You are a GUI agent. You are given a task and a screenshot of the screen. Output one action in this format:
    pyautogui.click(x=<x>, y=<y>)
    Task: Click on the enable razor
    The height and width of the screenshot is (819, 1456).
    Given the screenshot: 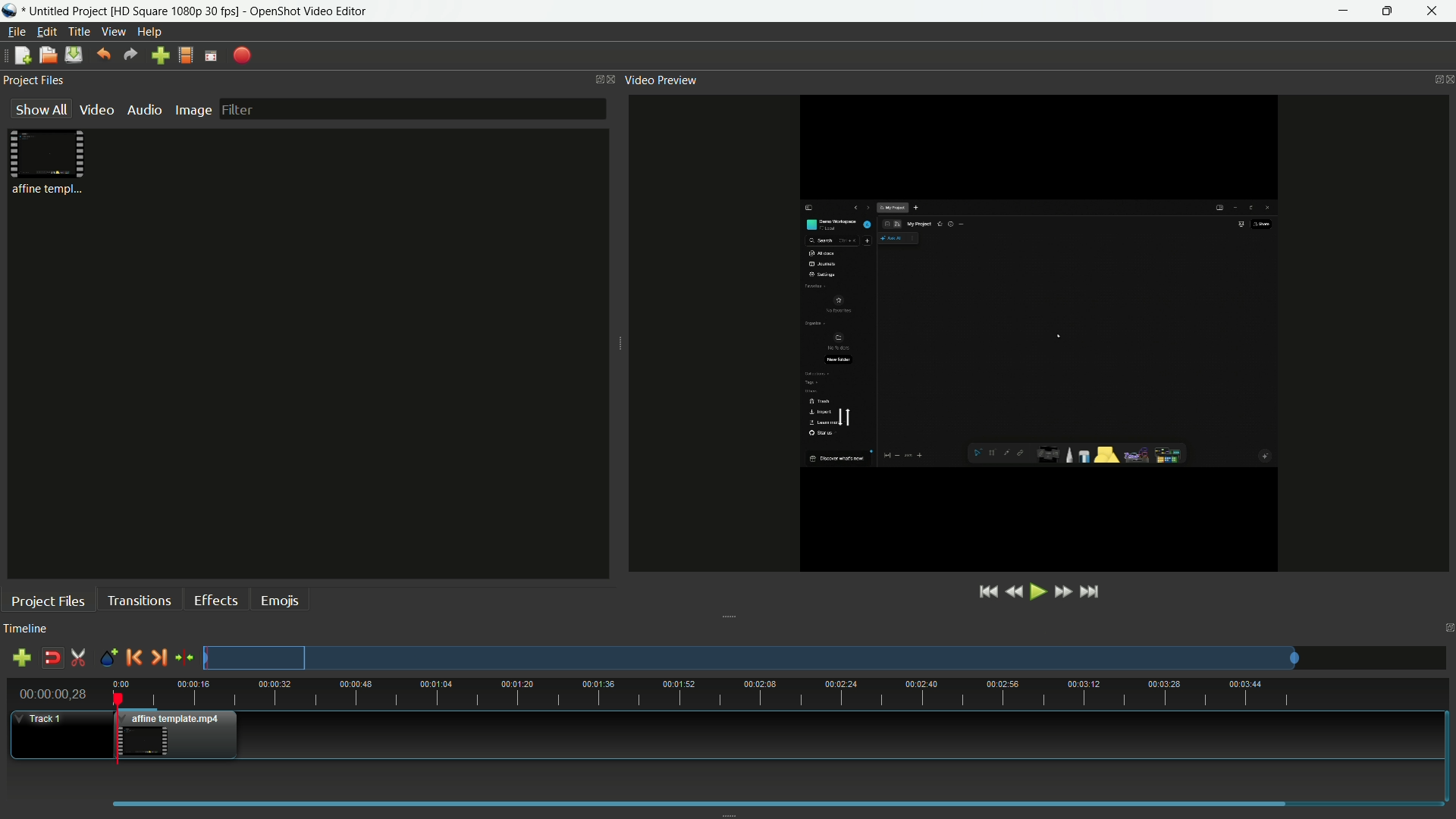 What is the action you would take?
    pyautogui.click(x=78, y=658)
    